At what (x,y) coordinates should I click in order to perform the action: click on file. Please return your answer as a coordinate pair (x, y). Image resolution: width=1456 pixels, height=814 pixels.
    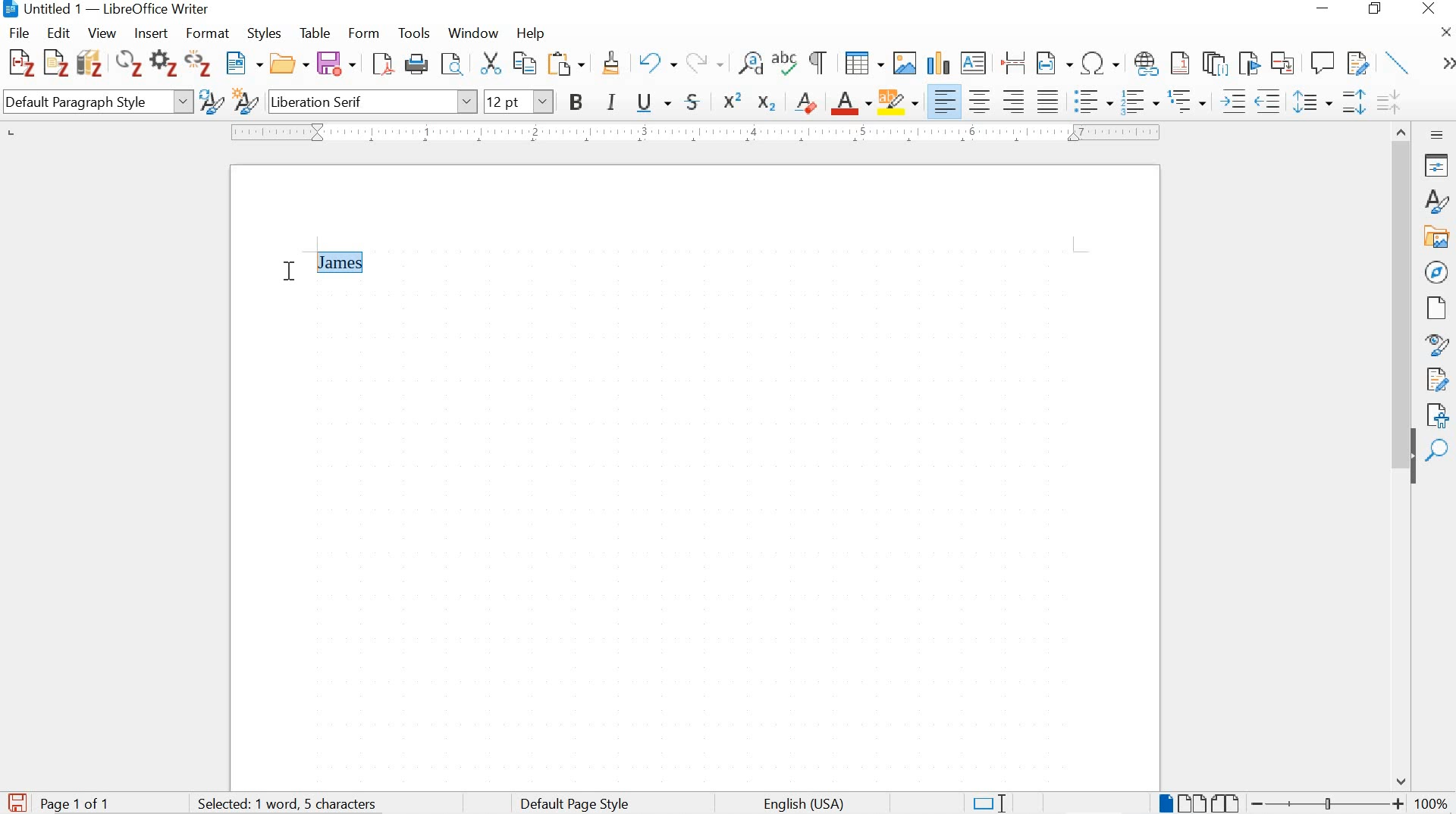
    Looking at the image, I should click on (19, 34).